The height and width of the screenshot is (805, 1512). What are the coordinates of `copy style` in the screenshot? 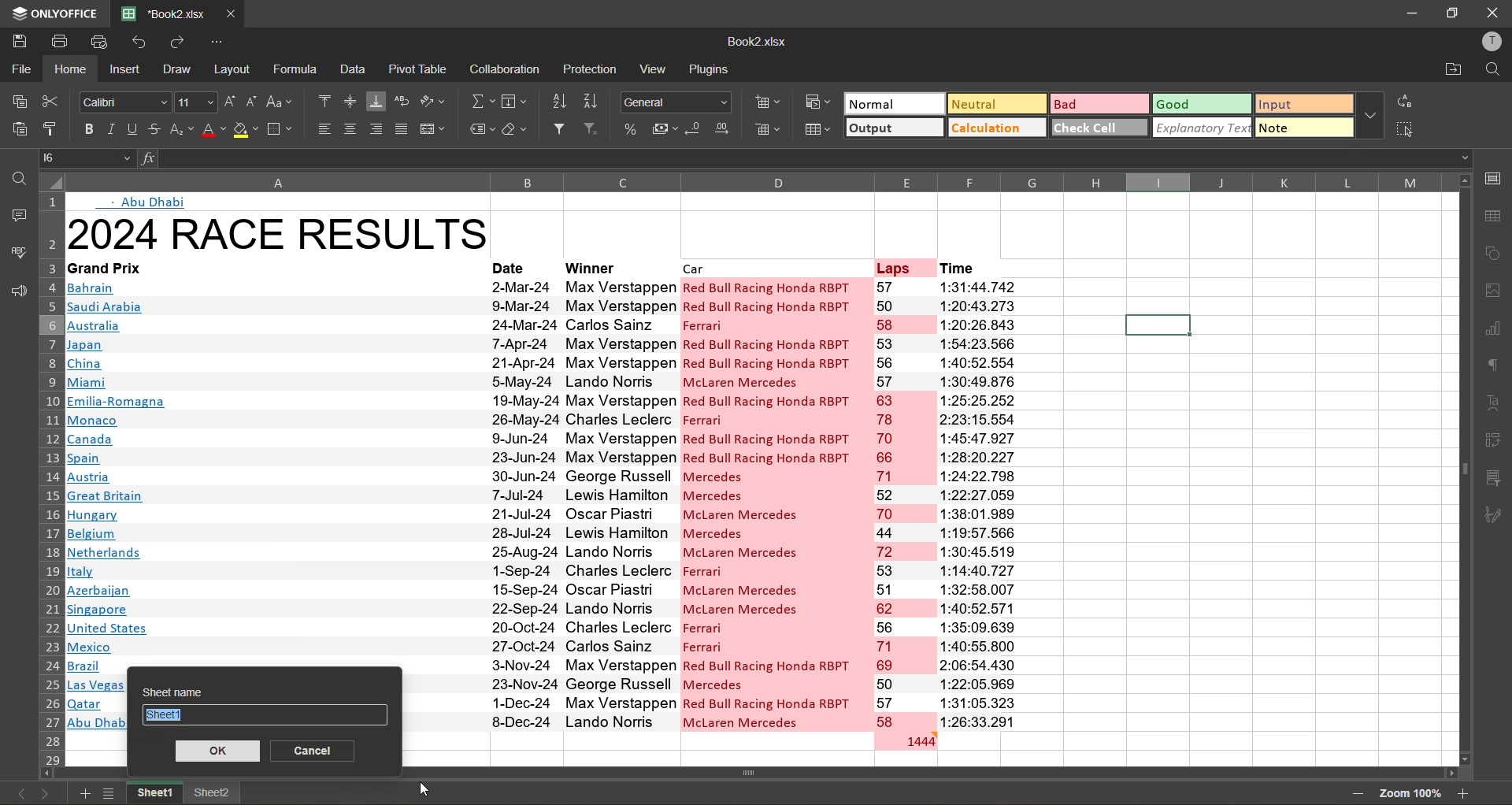 It's located at (53, 130).